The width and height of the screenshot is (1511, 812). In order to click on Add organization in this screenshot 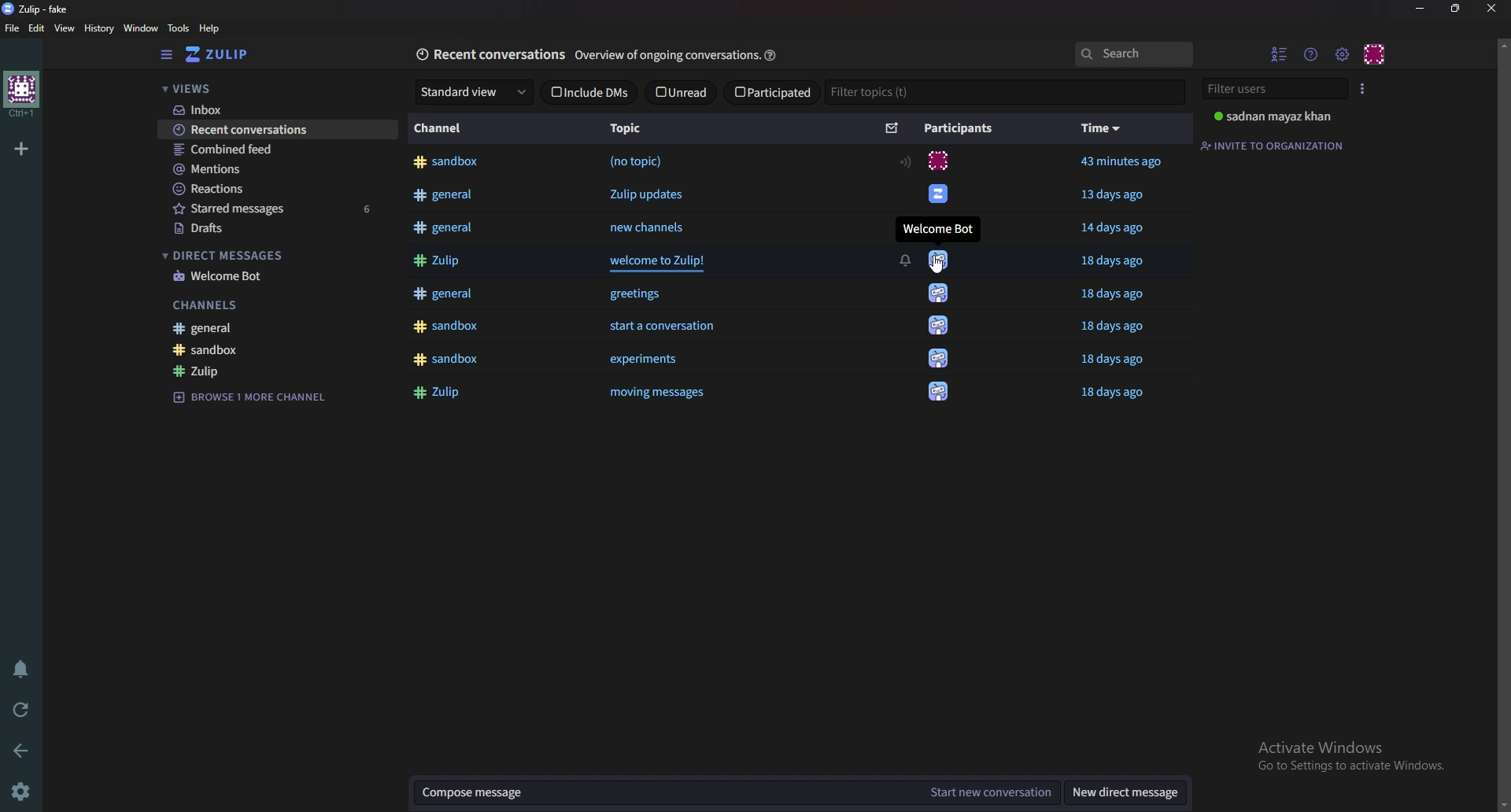, I will do `click(20, 147)`.